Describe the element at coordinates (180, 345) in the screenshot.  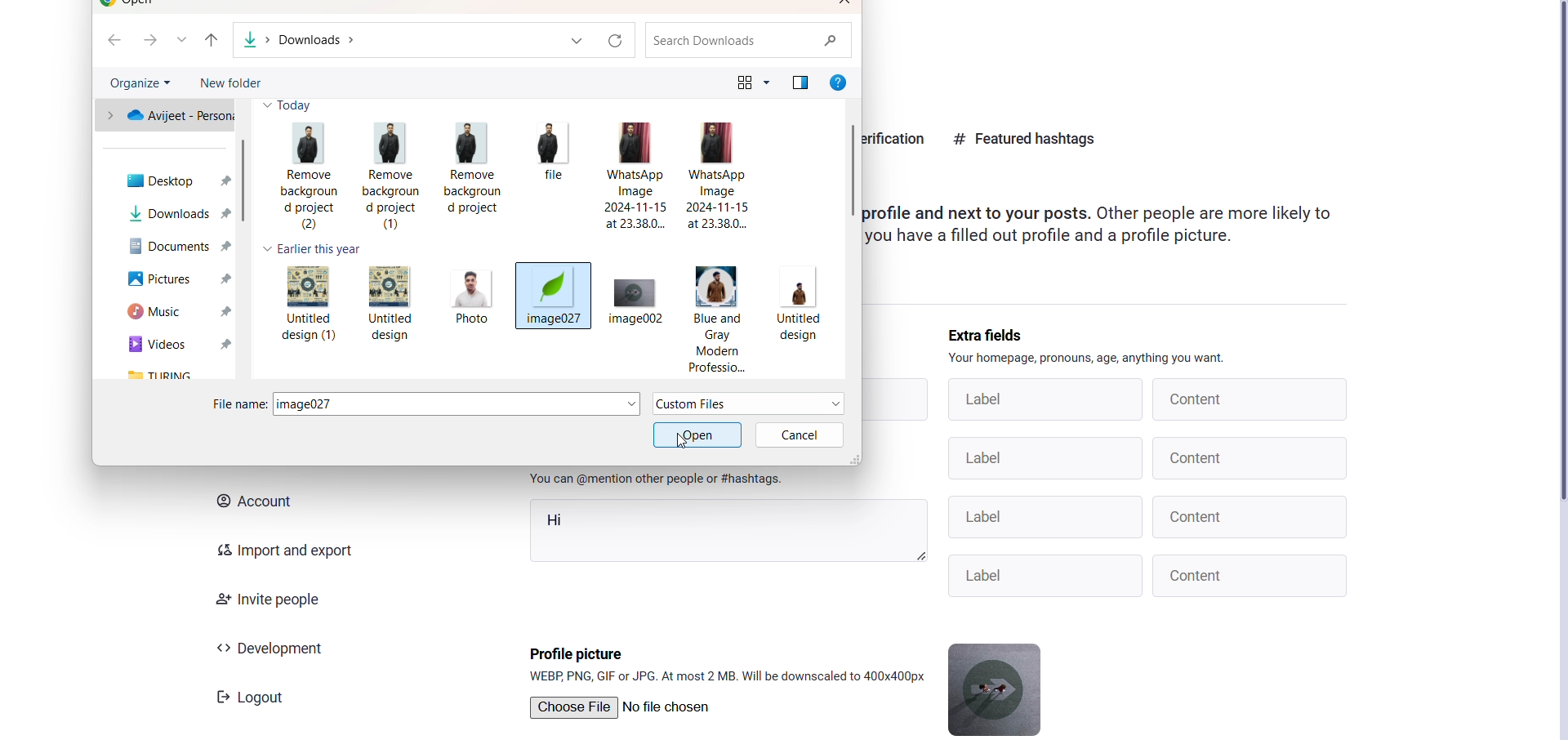
I see `cideo` at that location.